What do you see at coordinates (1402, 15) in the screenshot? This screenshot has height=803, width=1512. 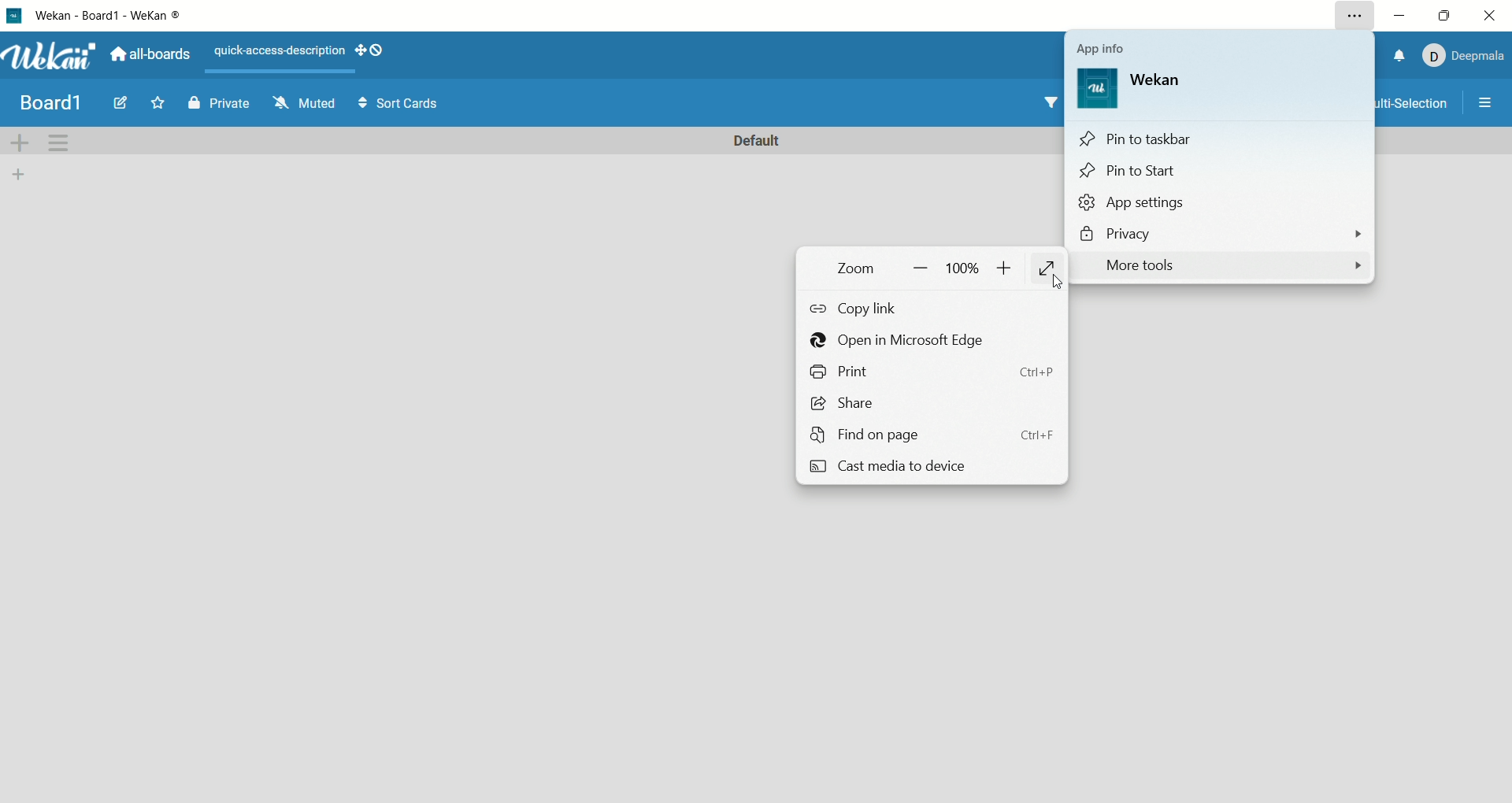 I see `minimize` at bounding box center [1402, 15].